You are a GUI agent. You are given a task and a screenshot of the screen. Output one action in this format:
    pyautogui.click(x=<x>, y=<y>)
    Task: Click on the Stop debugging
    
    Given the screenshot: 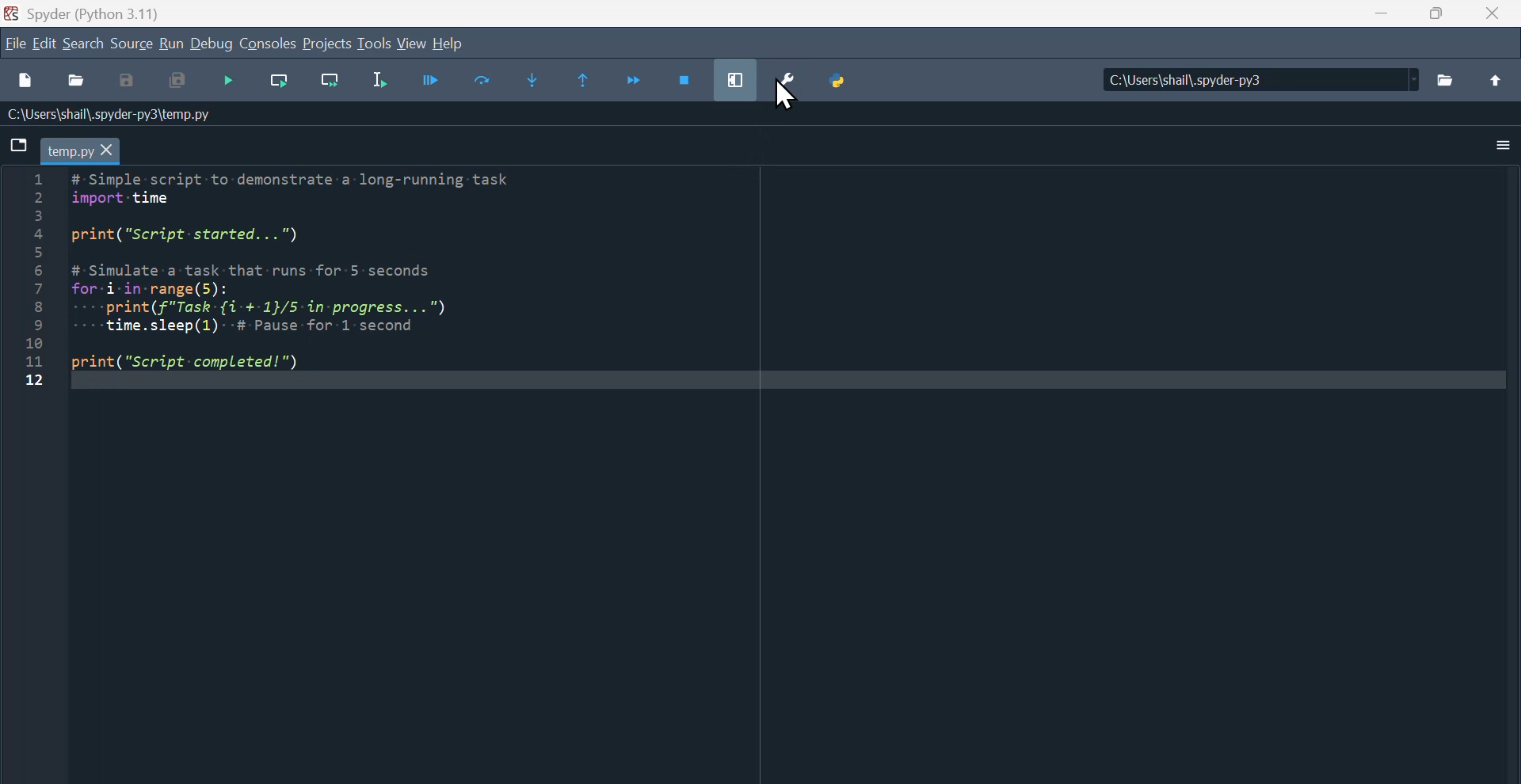 What is the action you would take?
    pyautogui.click(x=685, y=76)
    